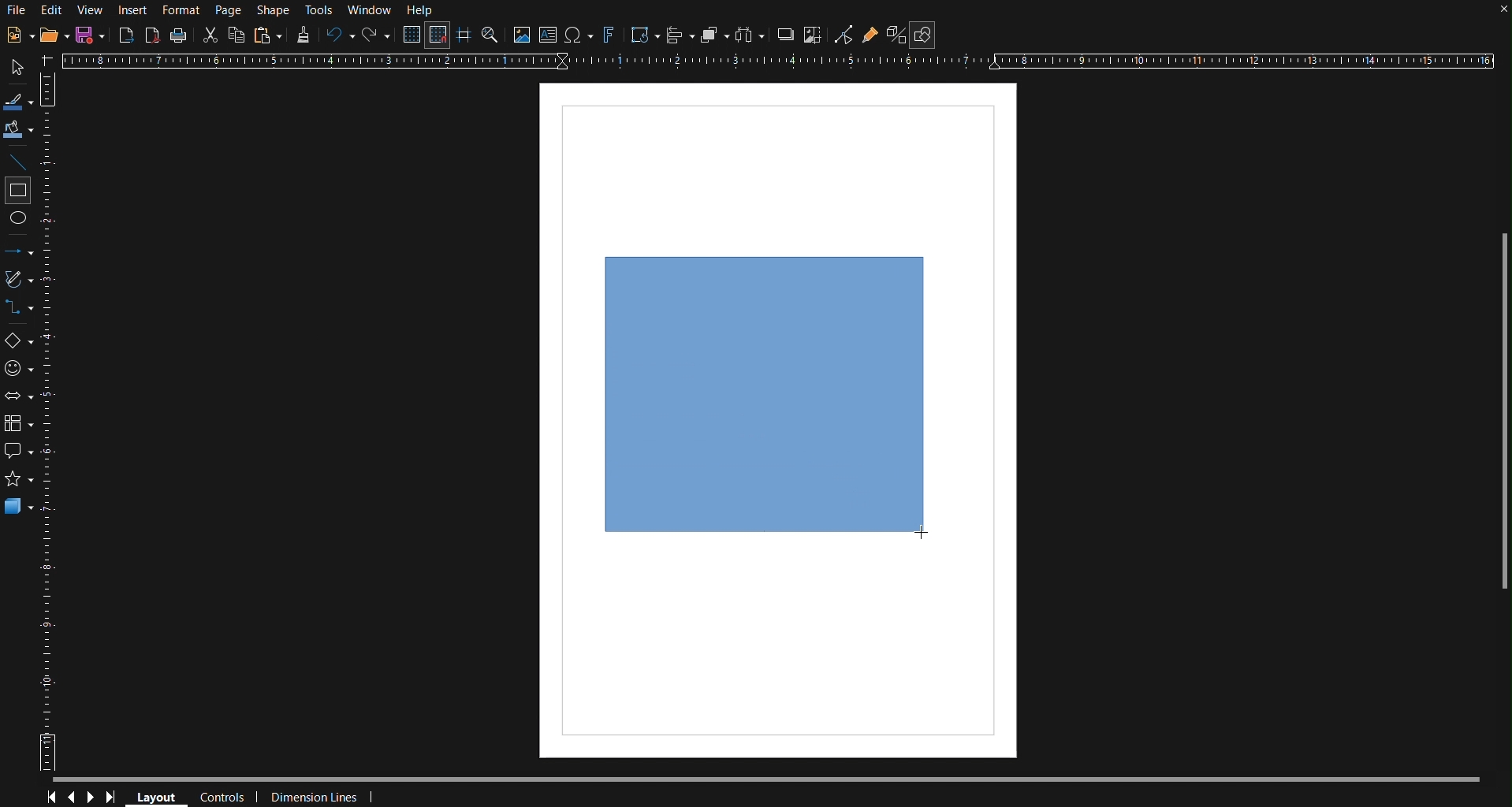 The height and width of the screenshot is (807, 1512). I want to click on cursor, so click(930, 536).